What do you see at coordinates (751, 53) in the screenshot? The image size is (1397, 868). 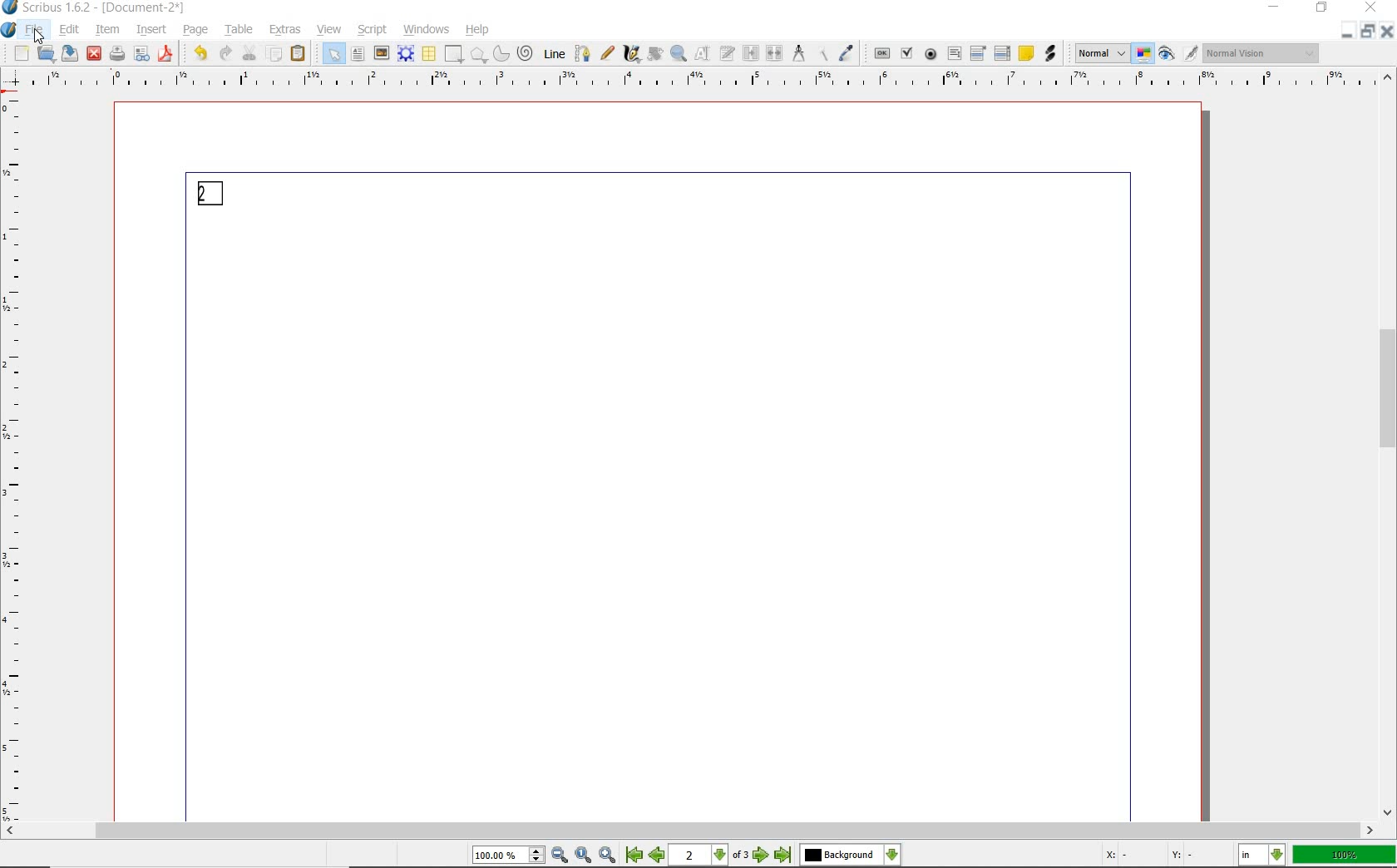 I see `link text frames` at bounding box center [751, 53].